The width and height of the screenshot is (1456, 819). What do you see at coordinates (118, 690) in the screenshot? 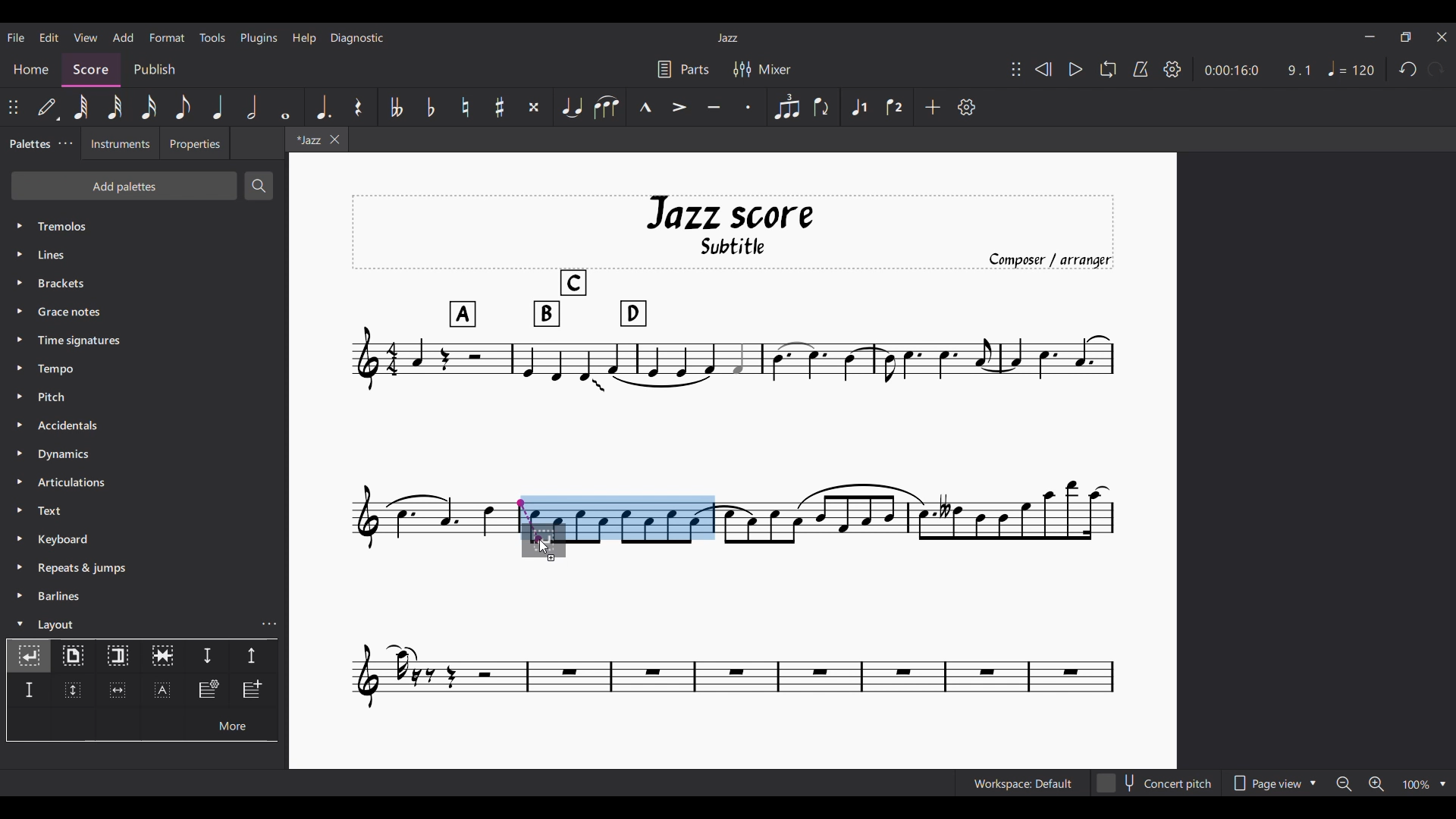
I see `Insert horizontal frame` at bounding box center [118, 690].